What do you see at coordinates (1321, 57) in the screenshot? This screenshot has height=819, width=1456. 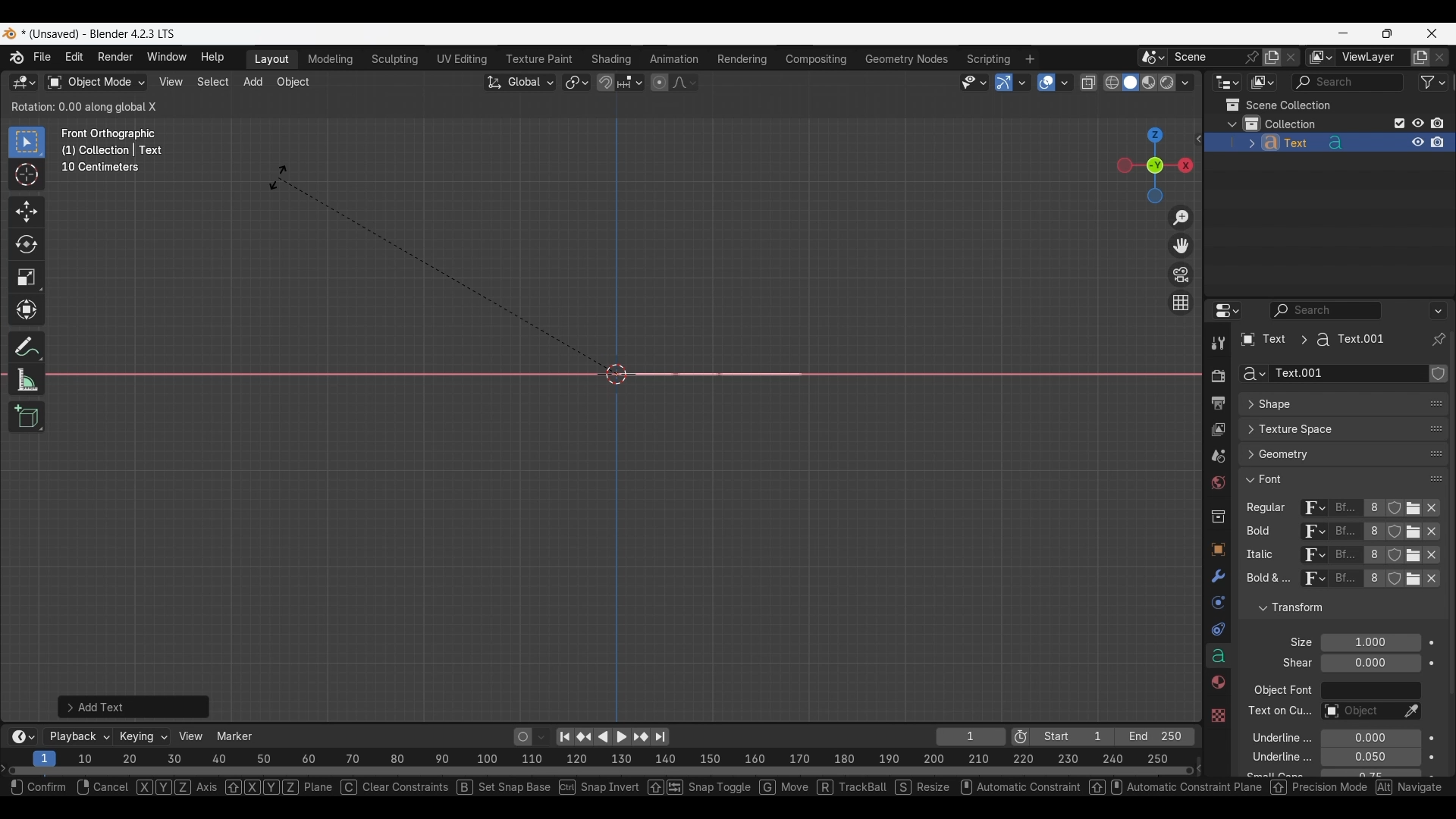 I see `The active workspace view layer showing in the window` at bounding box center [1321, 57].